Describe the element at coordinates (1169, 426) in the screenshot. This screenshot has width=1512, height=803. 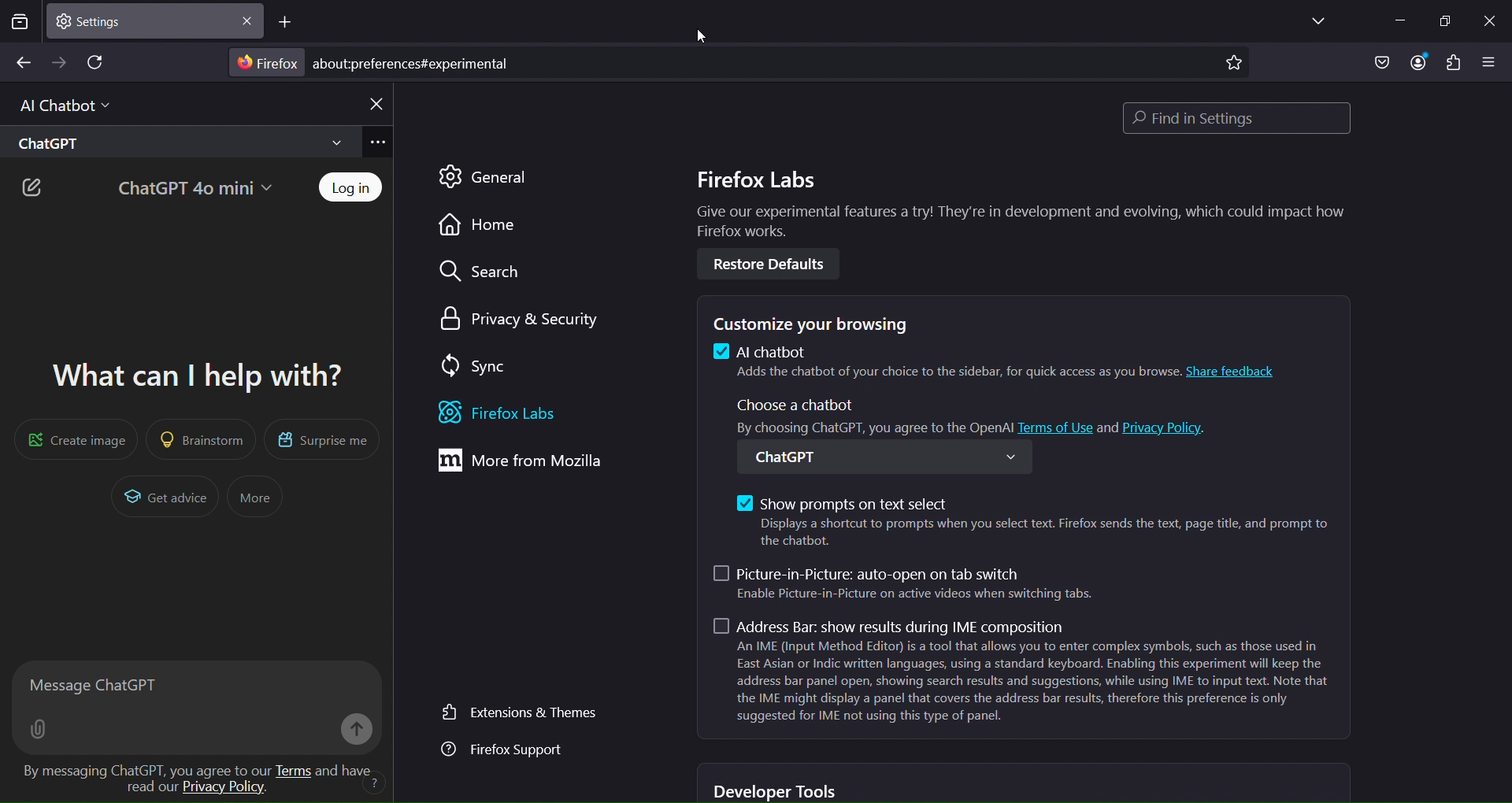
I see `privacy policy` at that location.